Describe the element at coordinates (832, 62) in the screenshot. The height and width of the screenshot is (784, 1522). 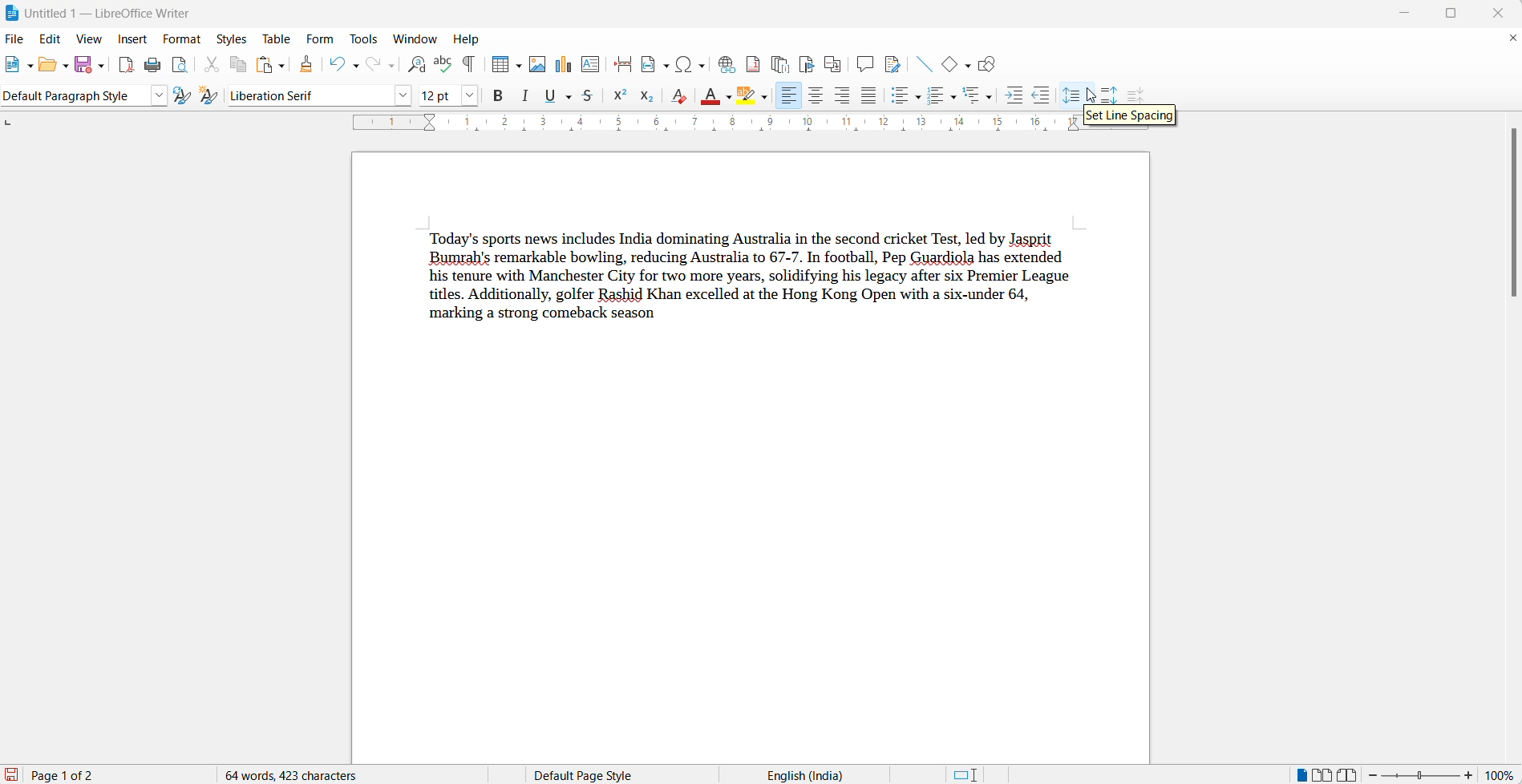
I see `insert cross-reference` at that location.